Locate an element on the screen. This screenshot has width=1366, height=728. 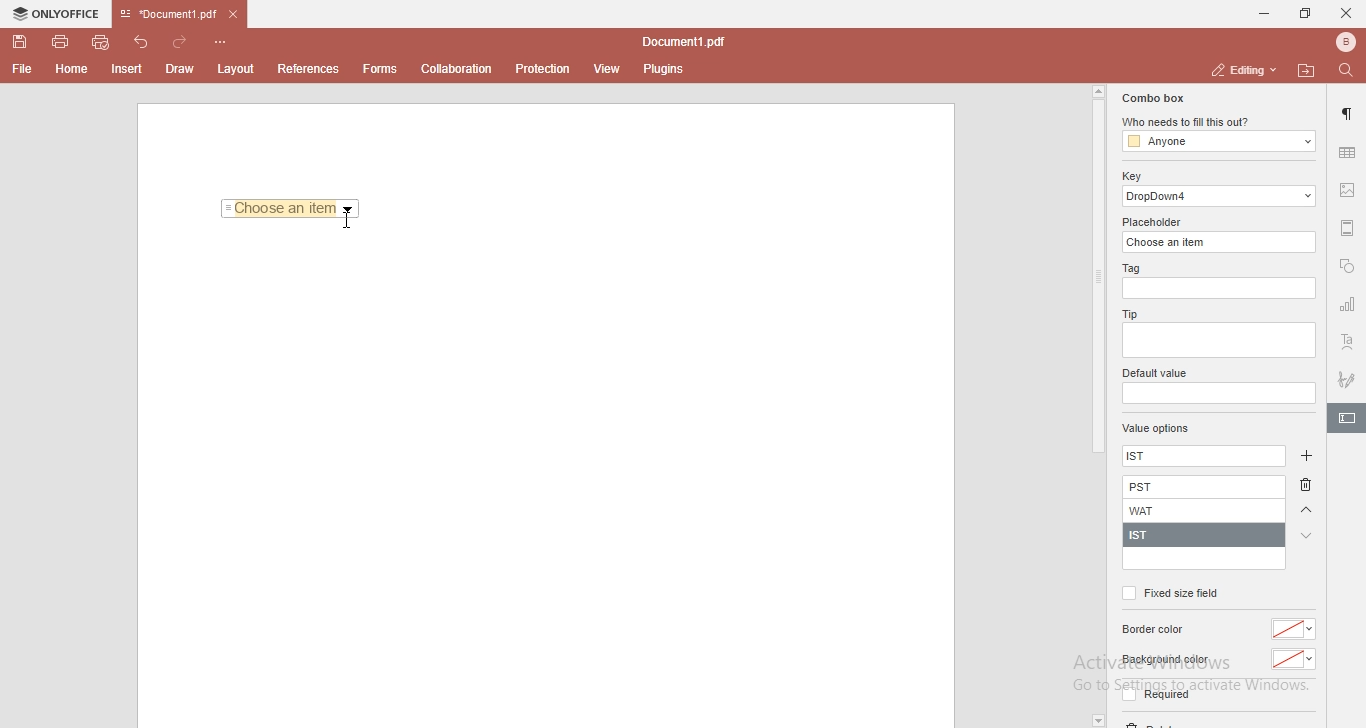
color dropdown is located at coordinates (1294, 660).